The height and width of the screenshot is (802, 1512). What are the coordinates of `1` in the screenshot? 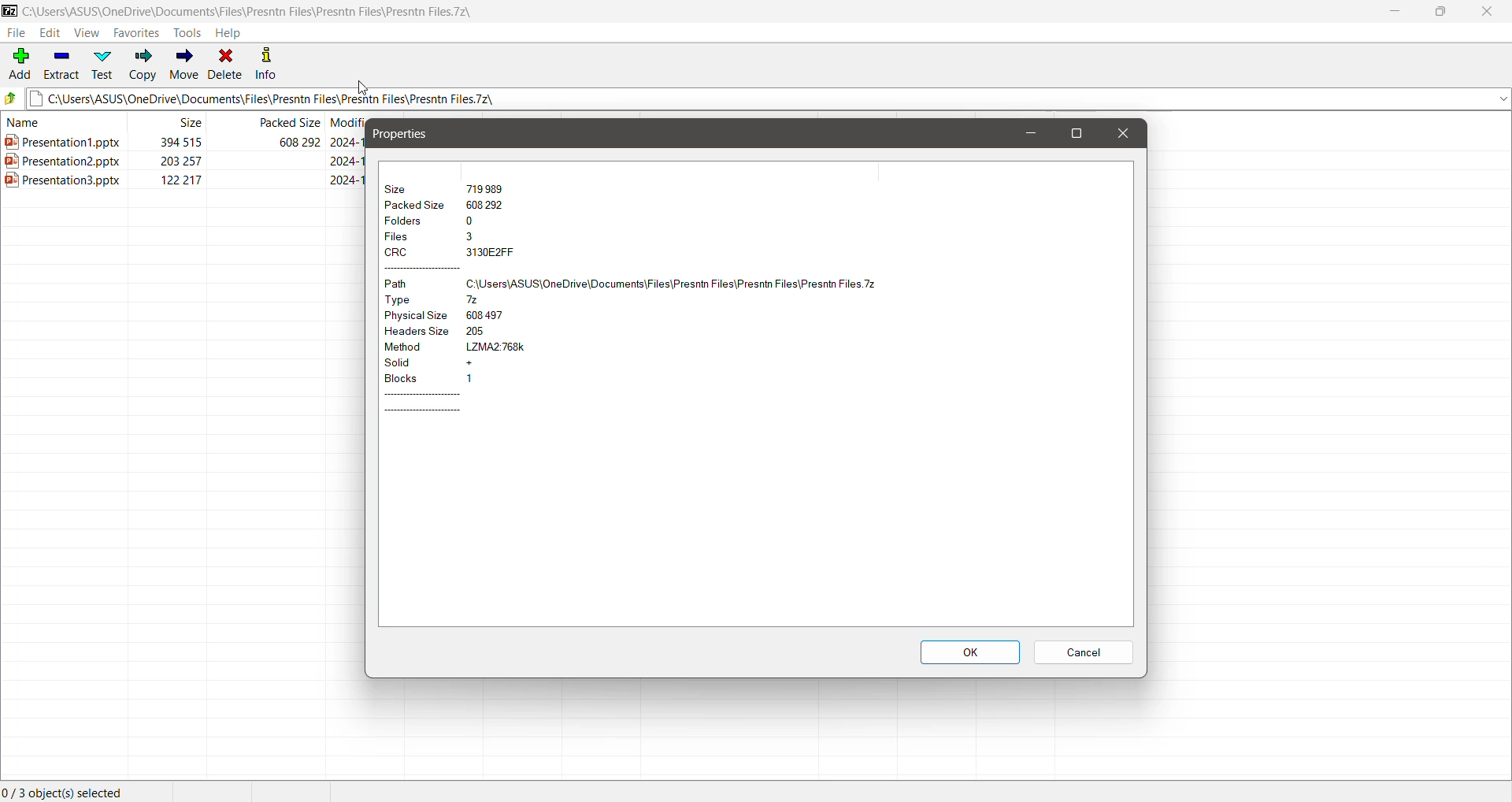 It's located at (473, 379).